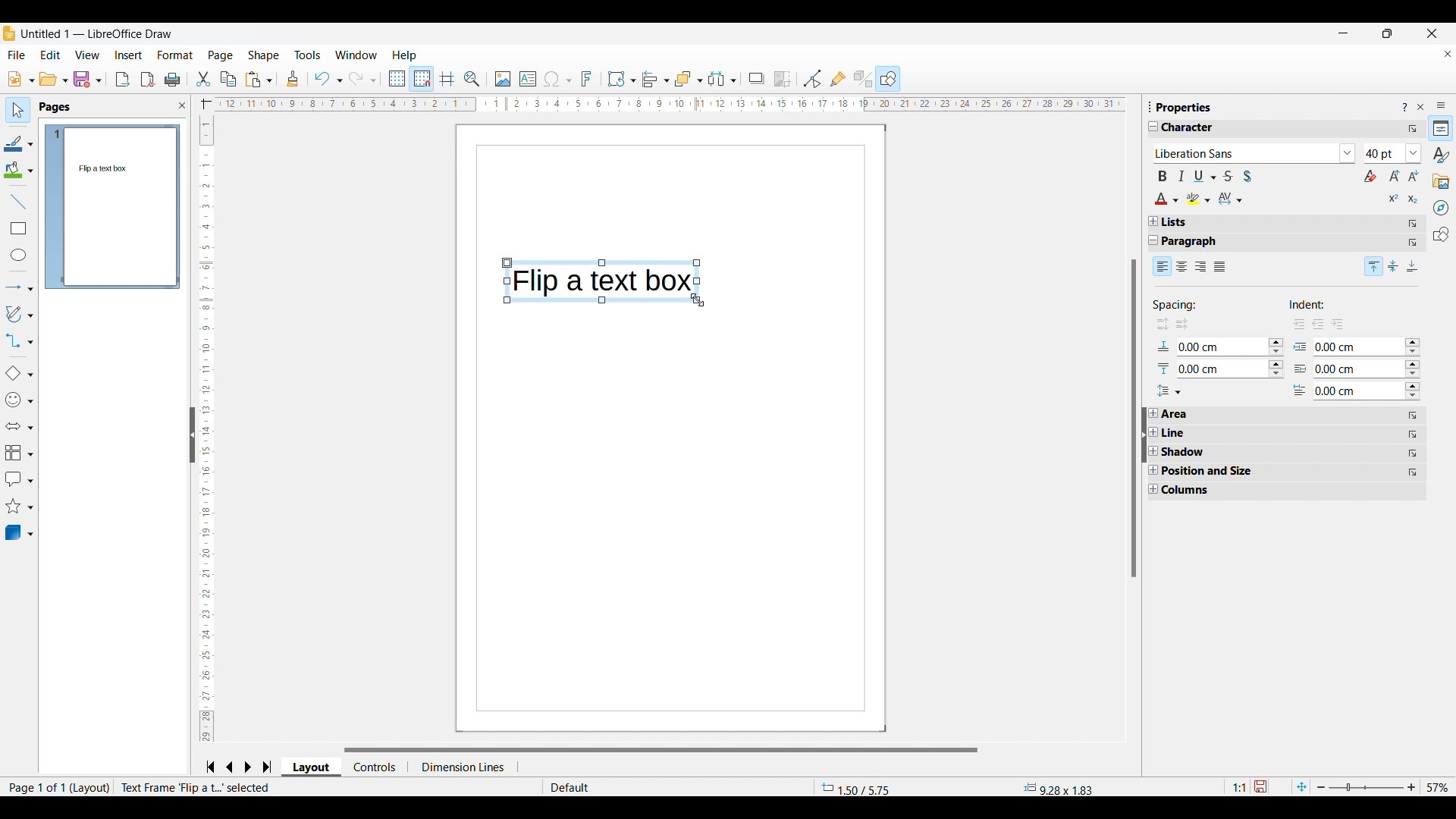 The height and width of the screenshot is (819, 1456). Describe the element at coordinates (1395, 175) in the screenshot. I see `Increase font size` at that location.